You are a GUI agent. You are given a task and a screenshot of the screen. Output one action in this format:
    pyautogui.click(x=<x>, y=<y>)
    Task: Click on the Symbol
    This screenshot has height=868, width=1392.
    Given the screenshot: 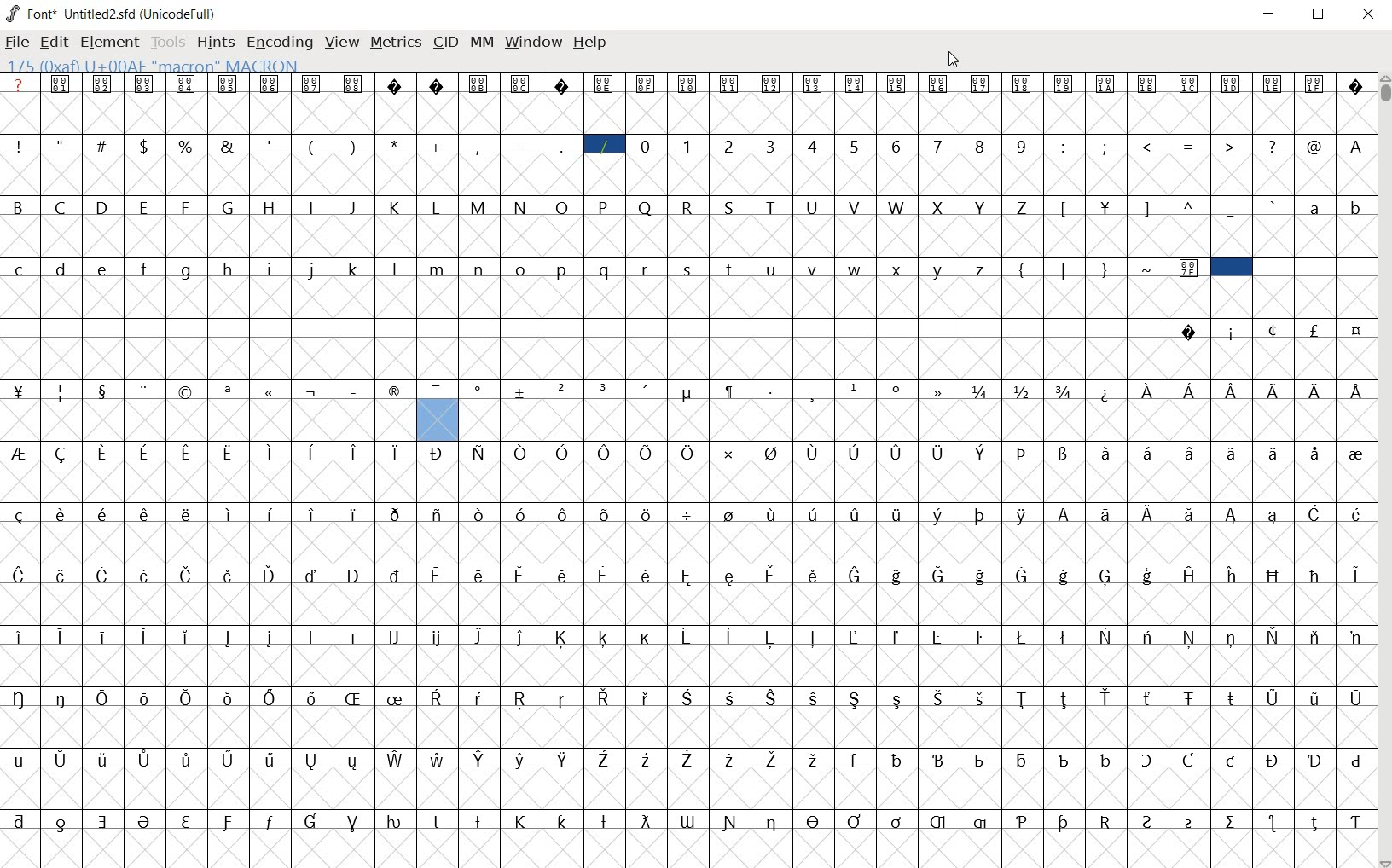 What is the action you would take?
    pyautogui.click(x=815, y=84)
    